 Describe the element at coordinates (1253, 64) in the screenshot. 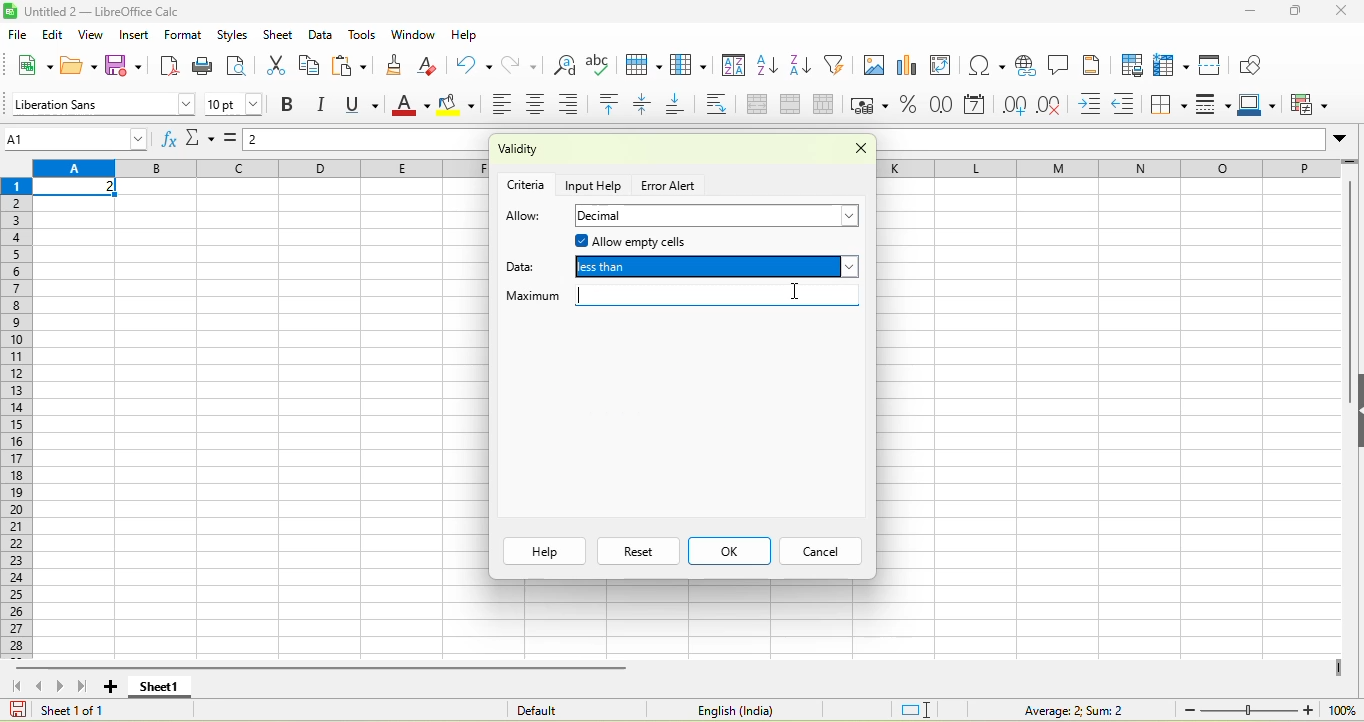

I see `show draw function` at that location.